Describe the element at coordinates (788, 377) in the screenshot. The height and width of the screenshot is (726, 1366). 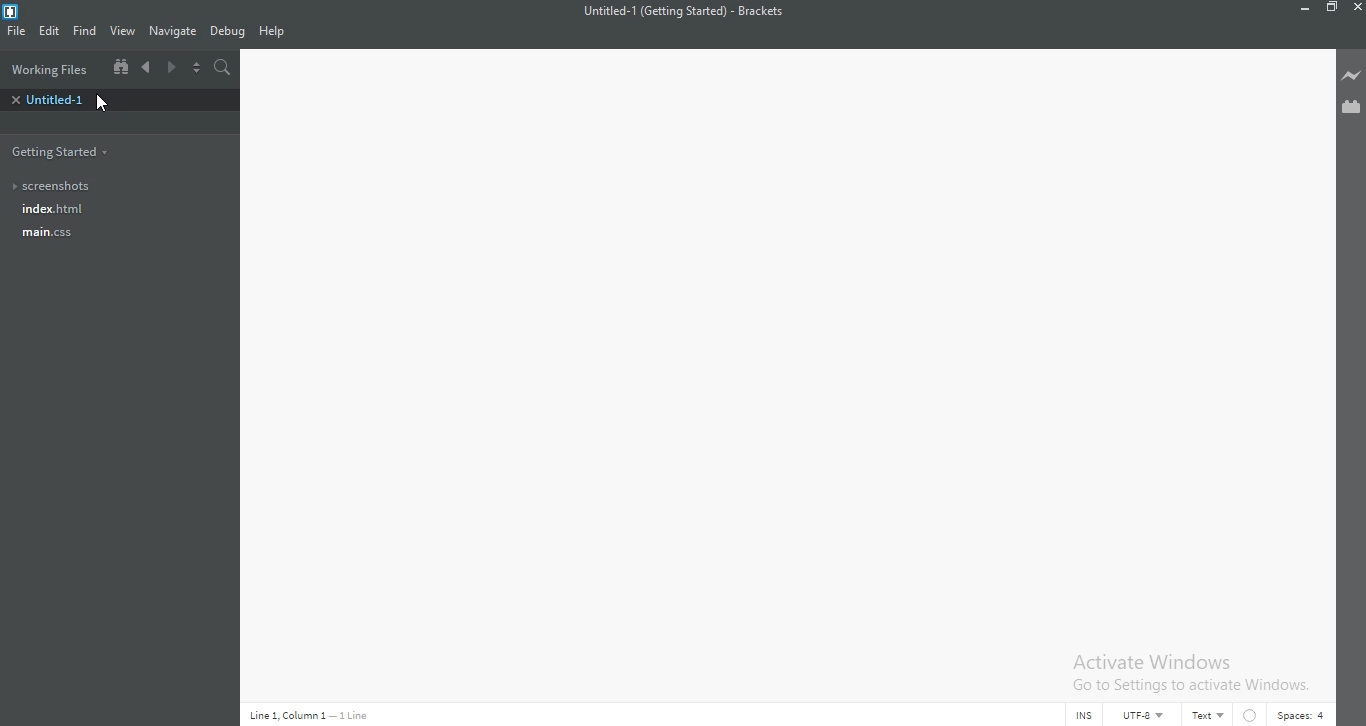
I see `Editor` at that location.